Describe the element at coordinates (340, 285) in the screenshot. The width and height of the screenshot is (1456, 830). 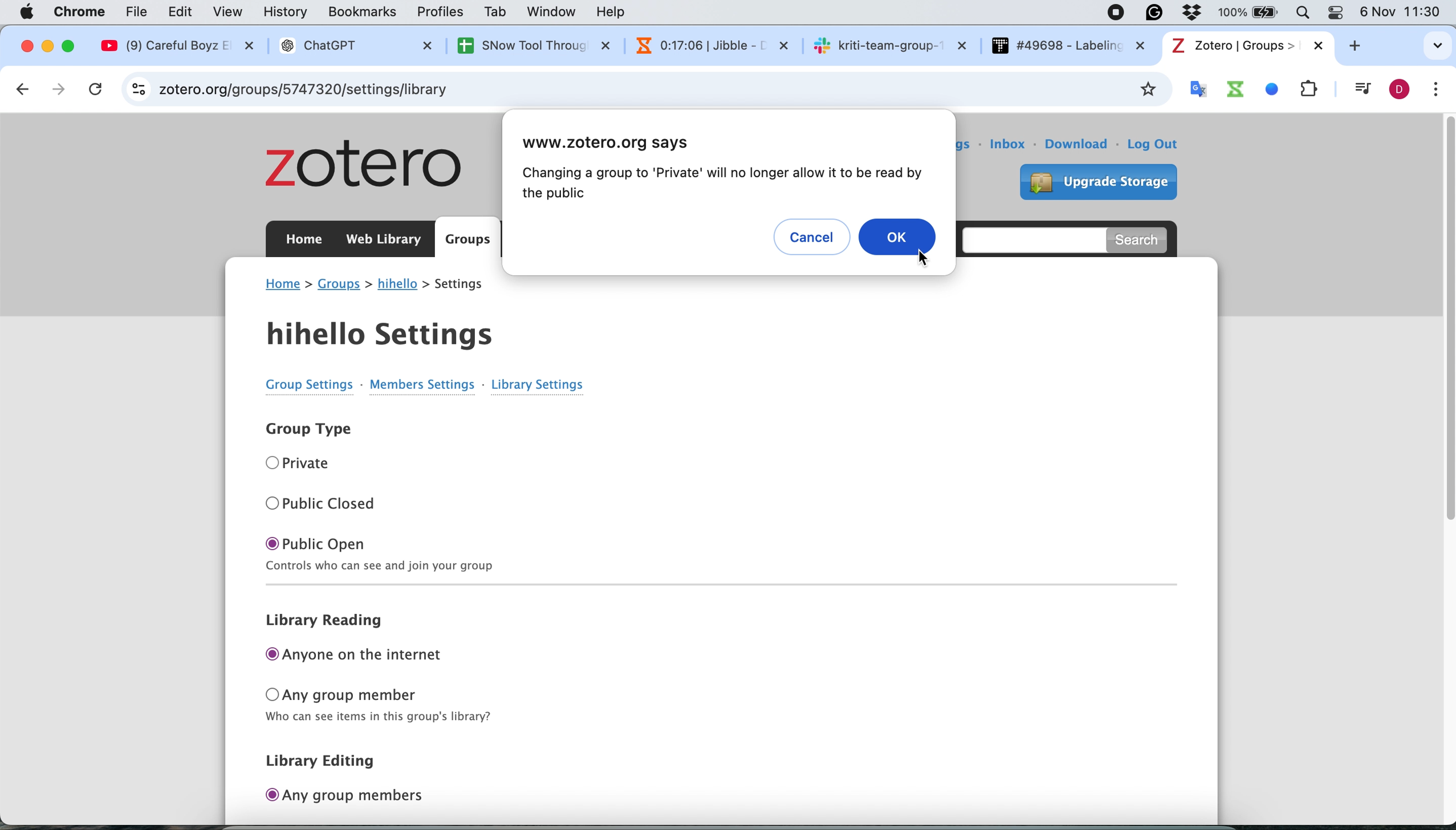
I see `groups` at that location.